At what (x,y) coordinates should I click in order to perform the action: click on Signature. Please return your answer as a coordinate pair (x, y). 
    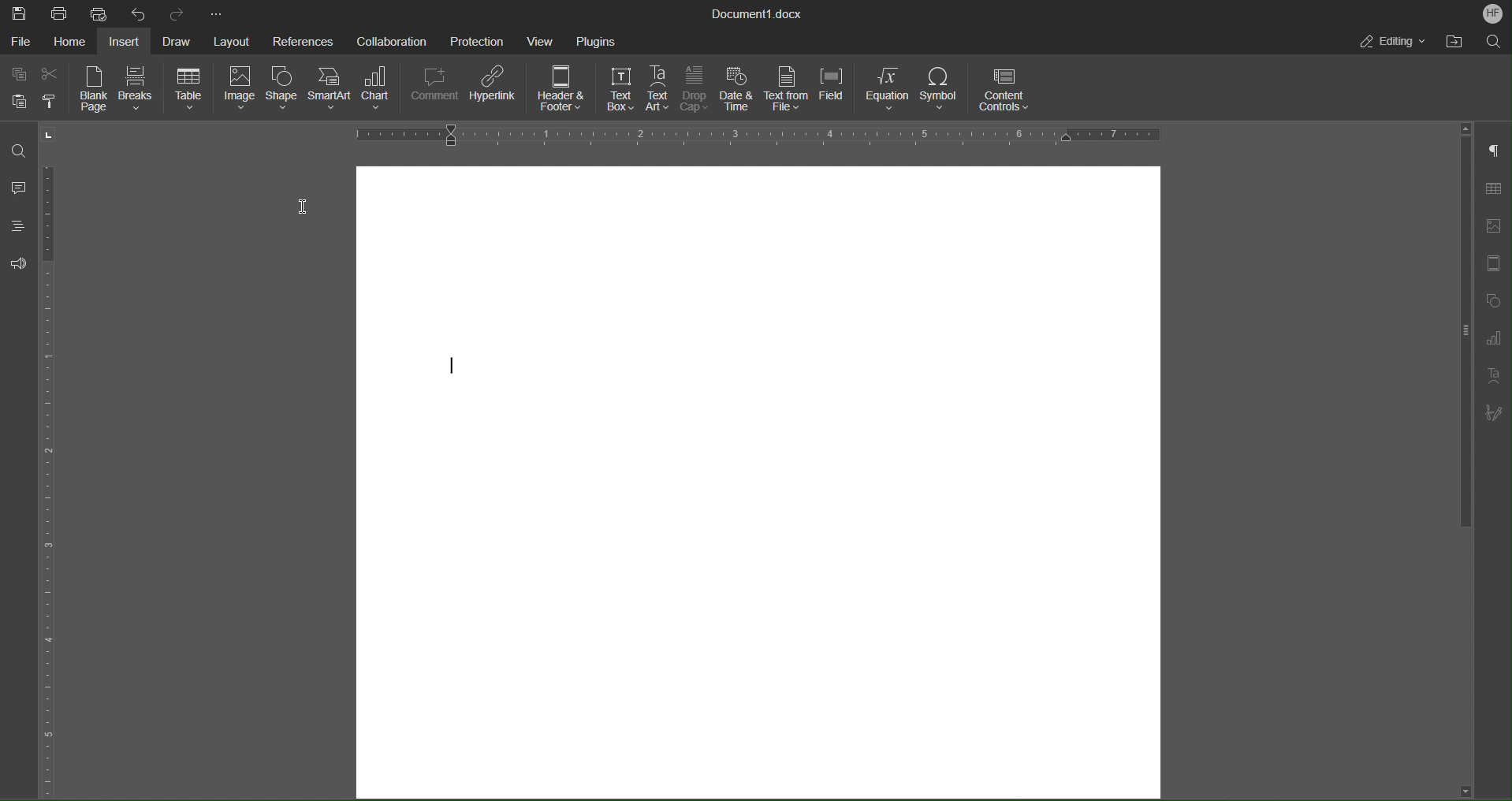
    Looking at the image, I should click on (1493, 413).